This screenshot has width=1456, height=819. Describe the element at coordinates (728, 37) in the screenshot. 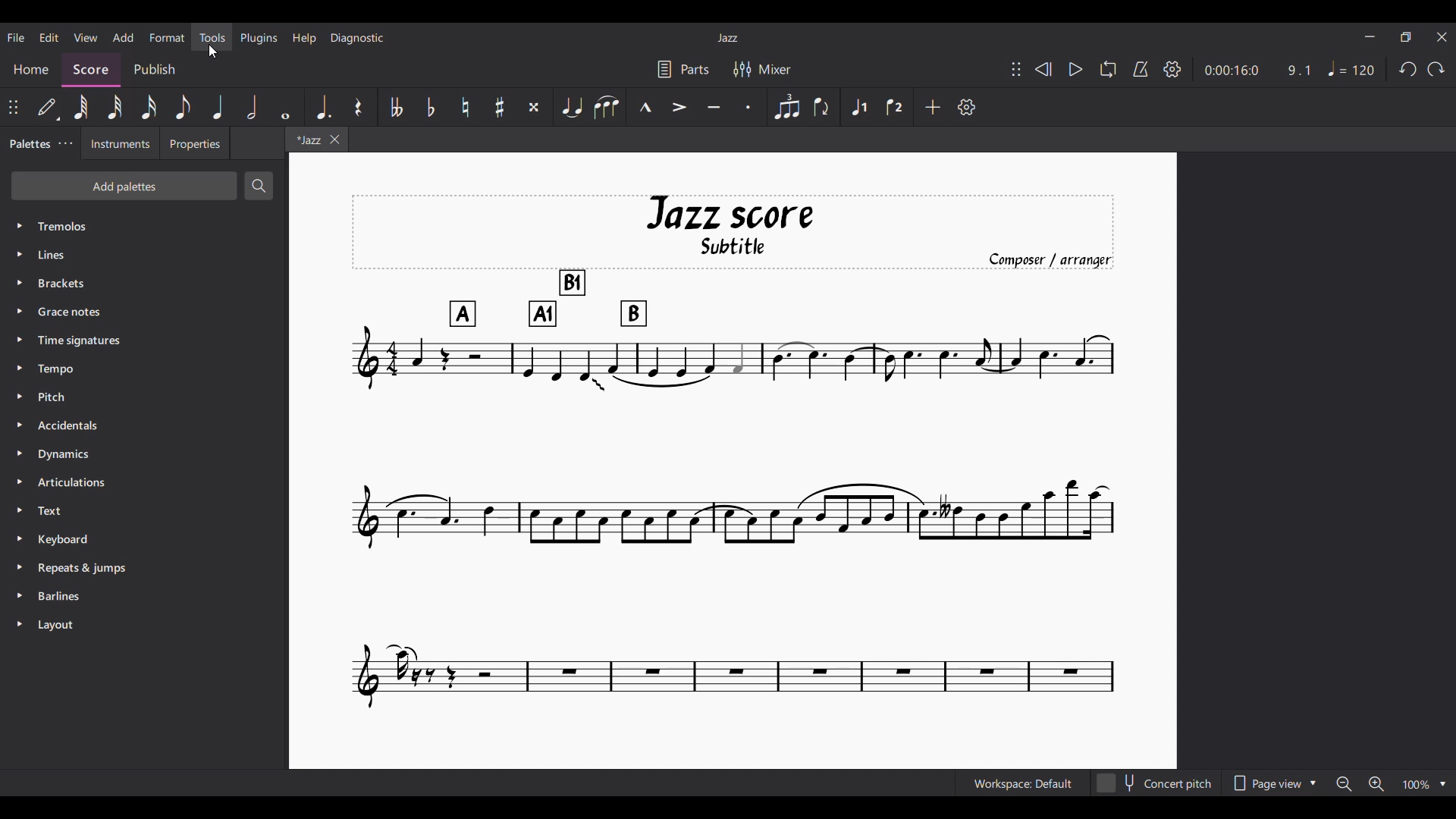

I see `Jazz` at that location.